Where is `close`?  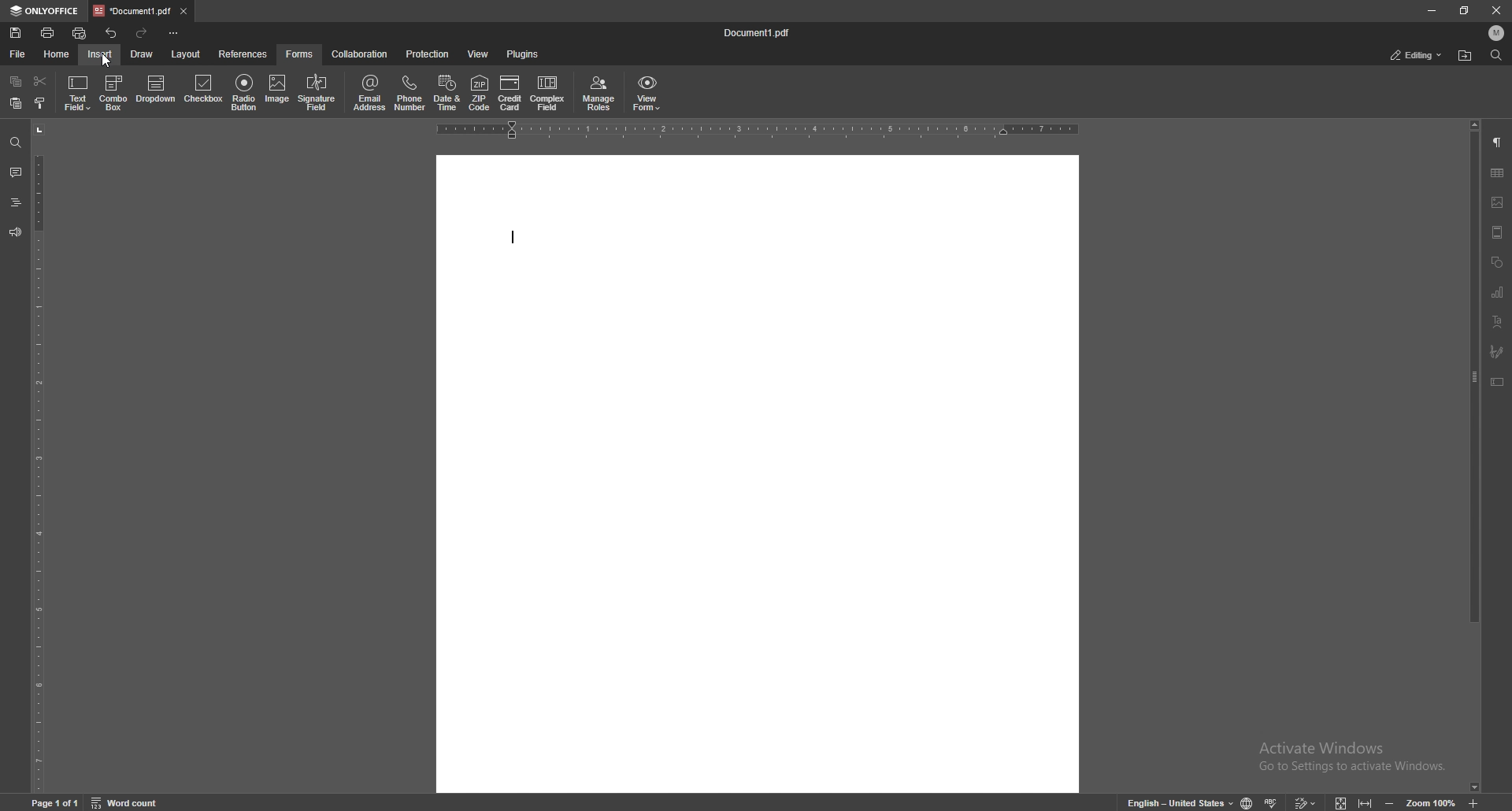 close is located at coordinates (1495, 10).